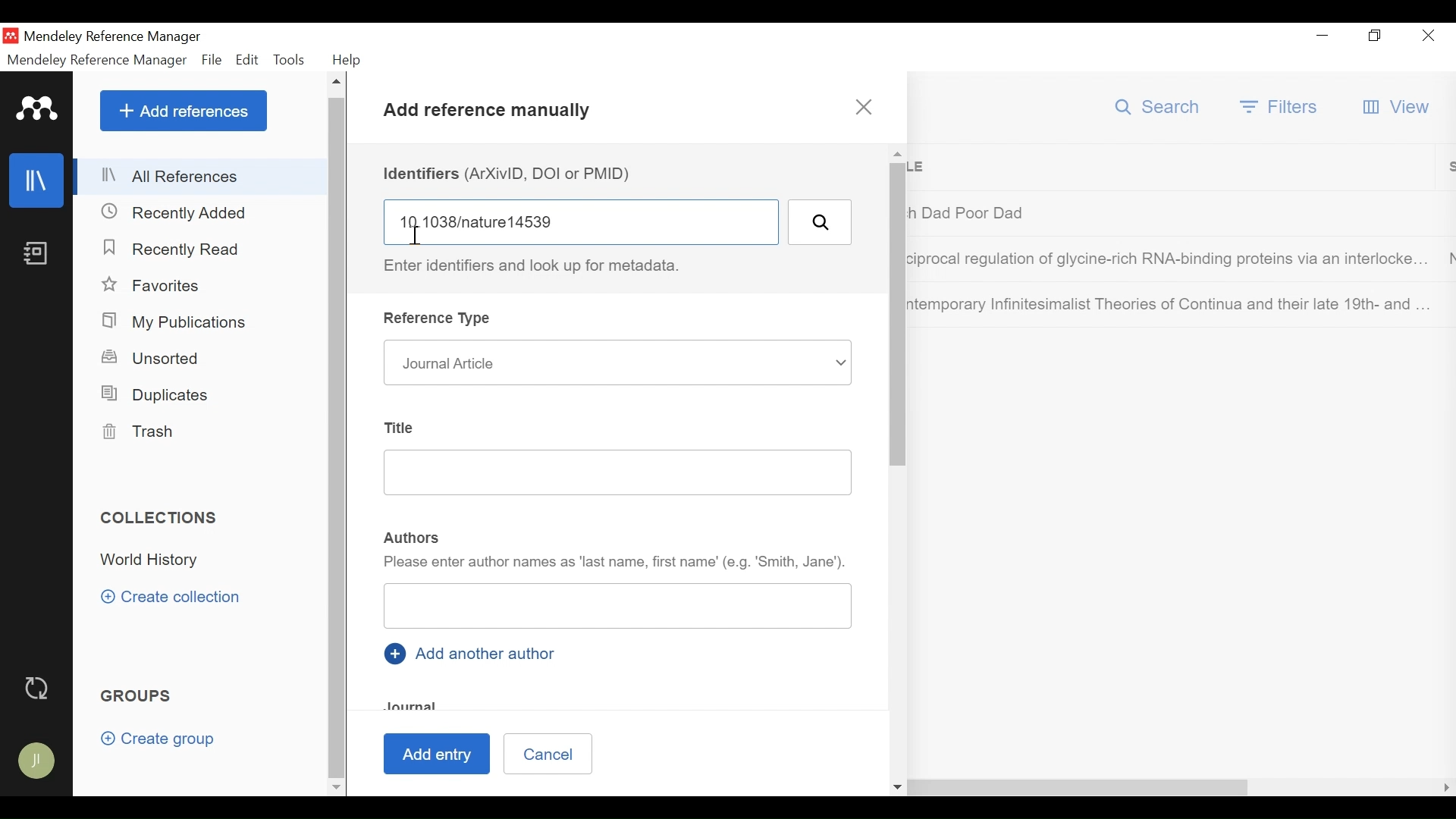 This screenshot has width=1456, height=819. What do you see at coordinates (899, 315) in the screenshot?
I see `Vertical Scroll Bar` at bounding box center [899, 315].